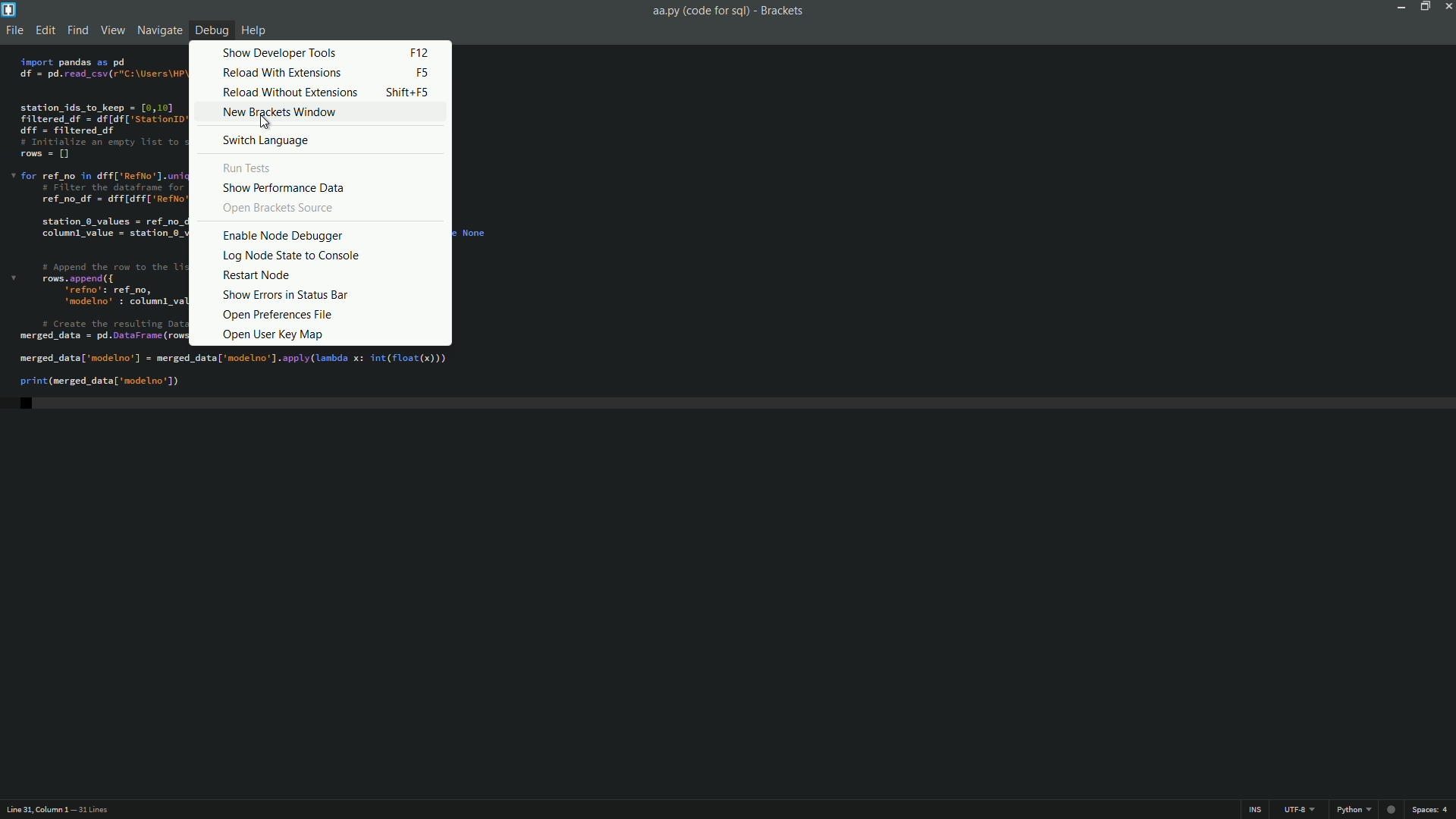 This screenshot has height=819, width=1456. What do you see at coordinates (284, 190) in the screenshot?
I see `Show performance data` at bounding box center [284, 190].